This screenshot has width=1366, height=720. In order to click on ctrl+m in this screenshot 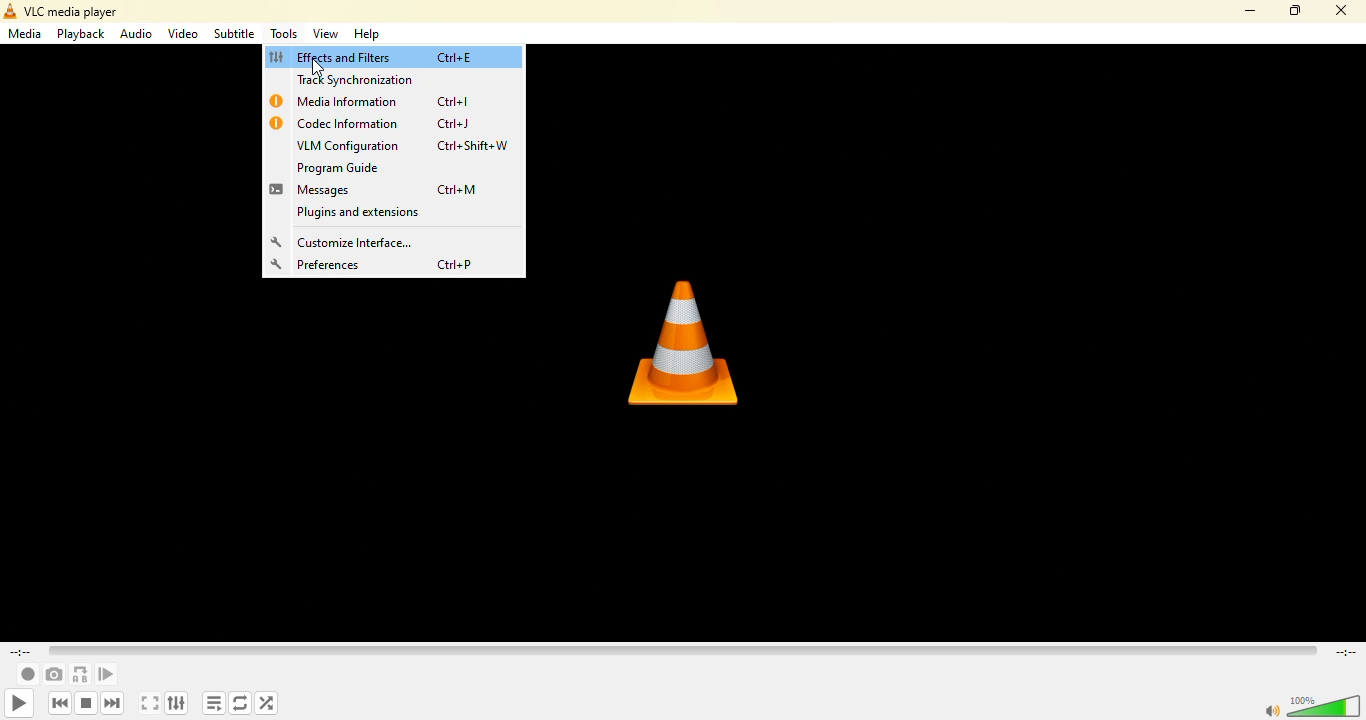, I will do `click(461, 191)`.